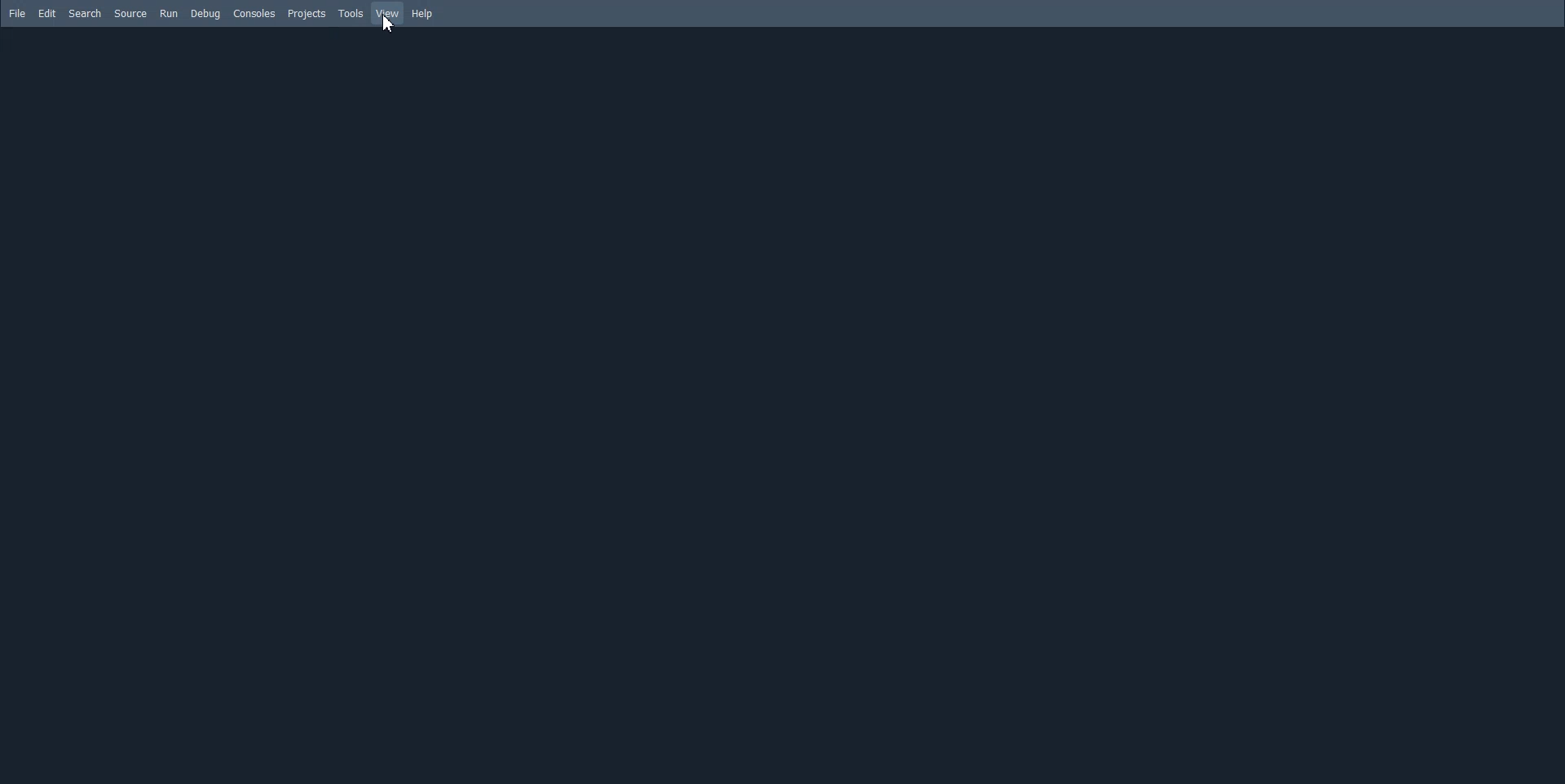  I want to click on Edit, so click(48, 13).